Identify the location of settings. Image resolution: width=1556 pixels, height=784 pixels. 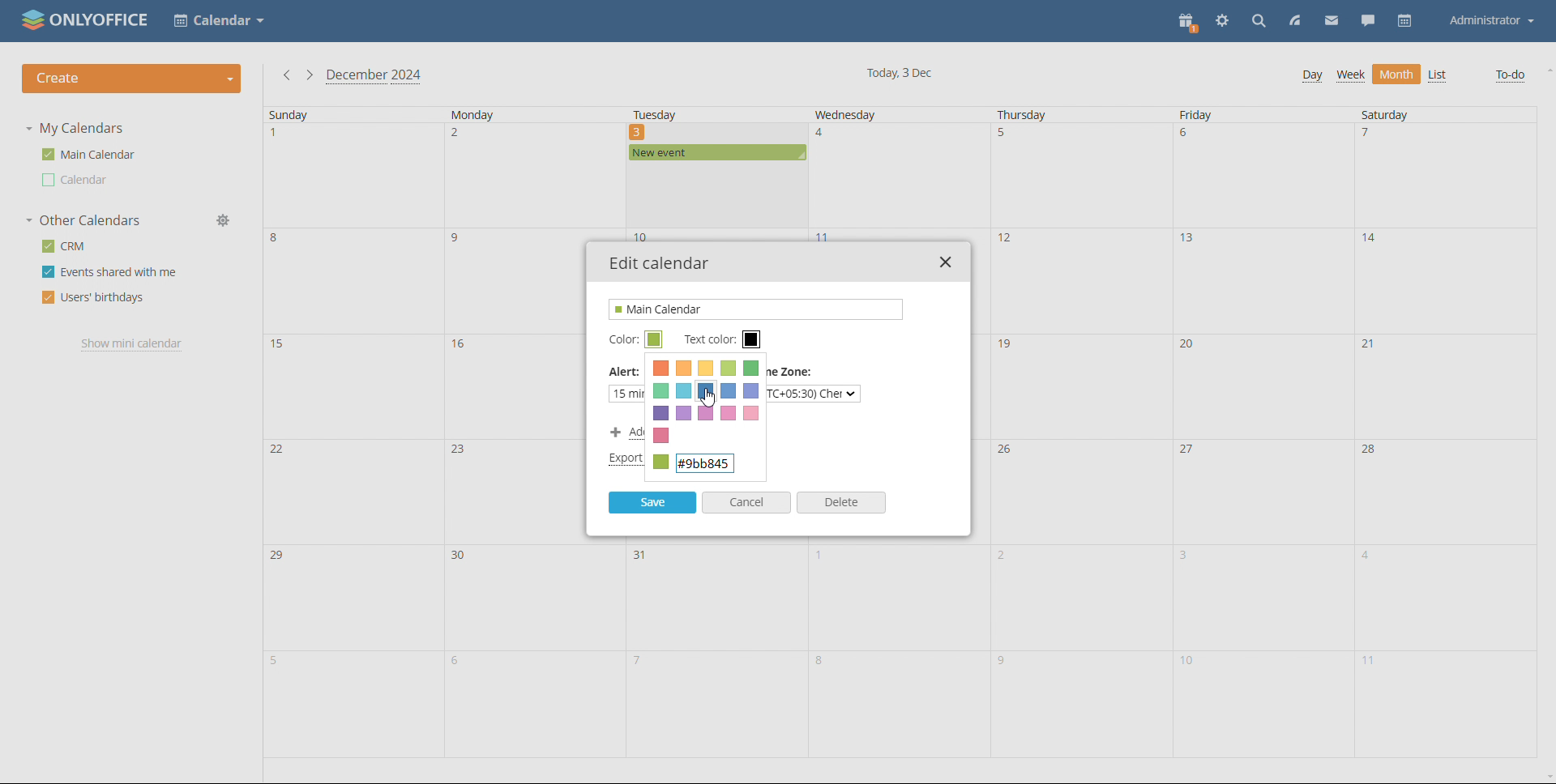
(1223, 21).